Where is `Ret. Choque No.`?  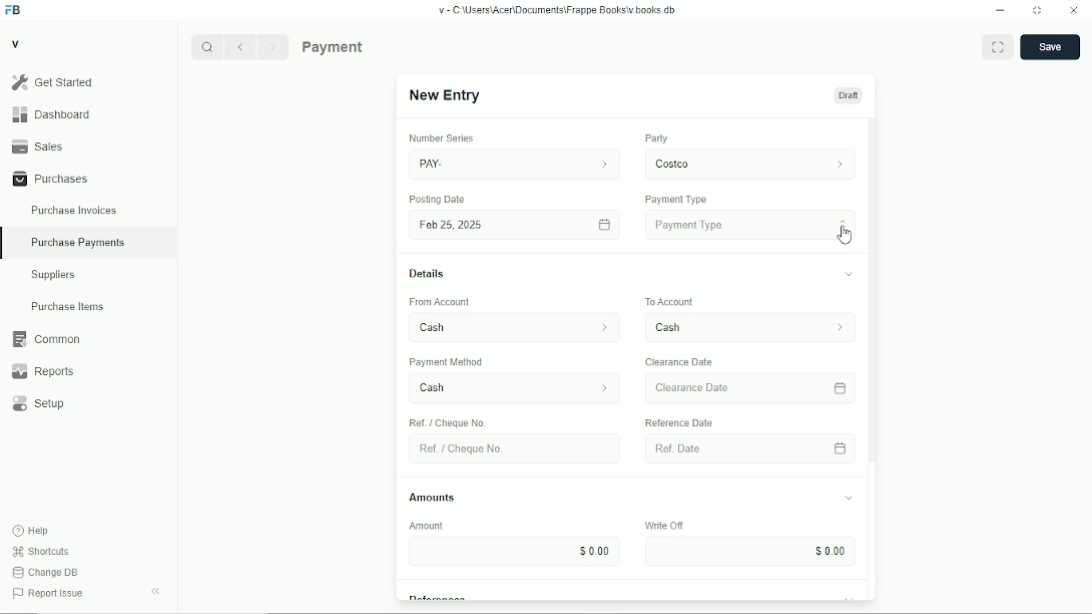
Ret. Choque No. is located at coordinates (509, 449).